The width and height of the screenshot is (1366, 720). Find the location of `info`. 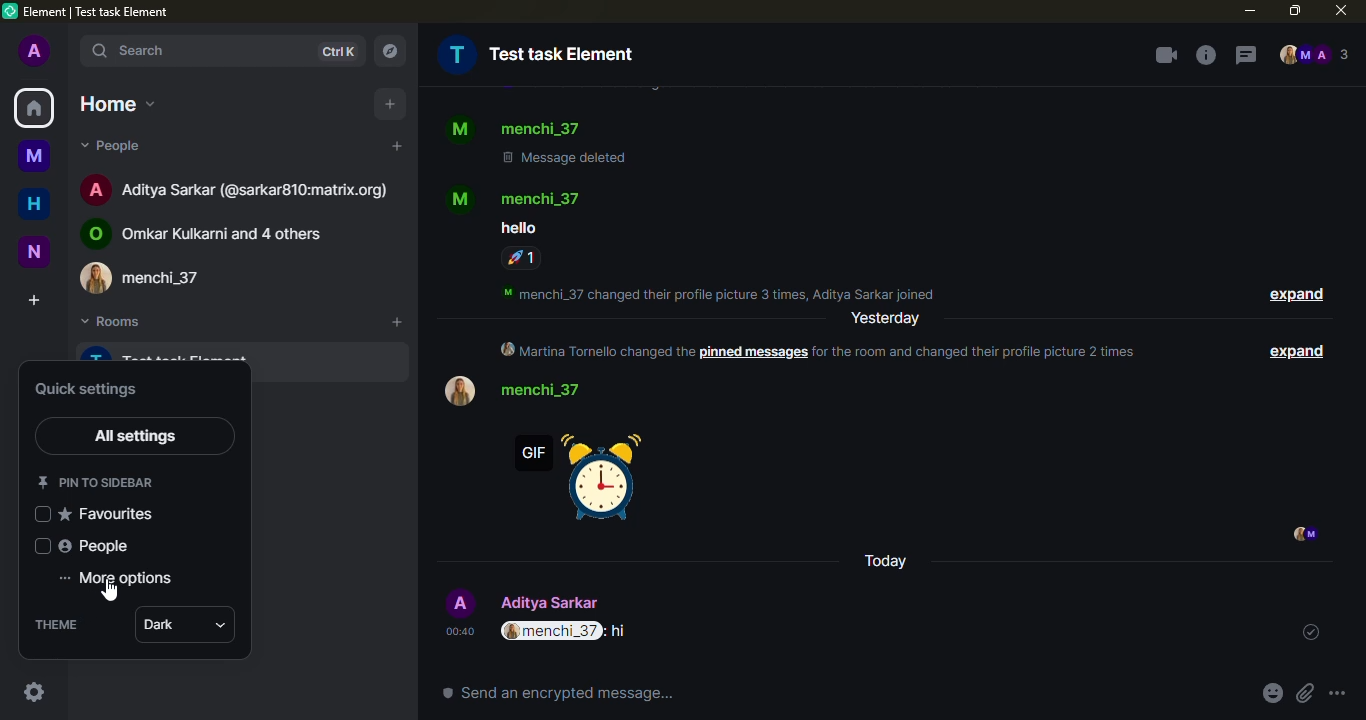

info is located at coordinates (1203, 55).